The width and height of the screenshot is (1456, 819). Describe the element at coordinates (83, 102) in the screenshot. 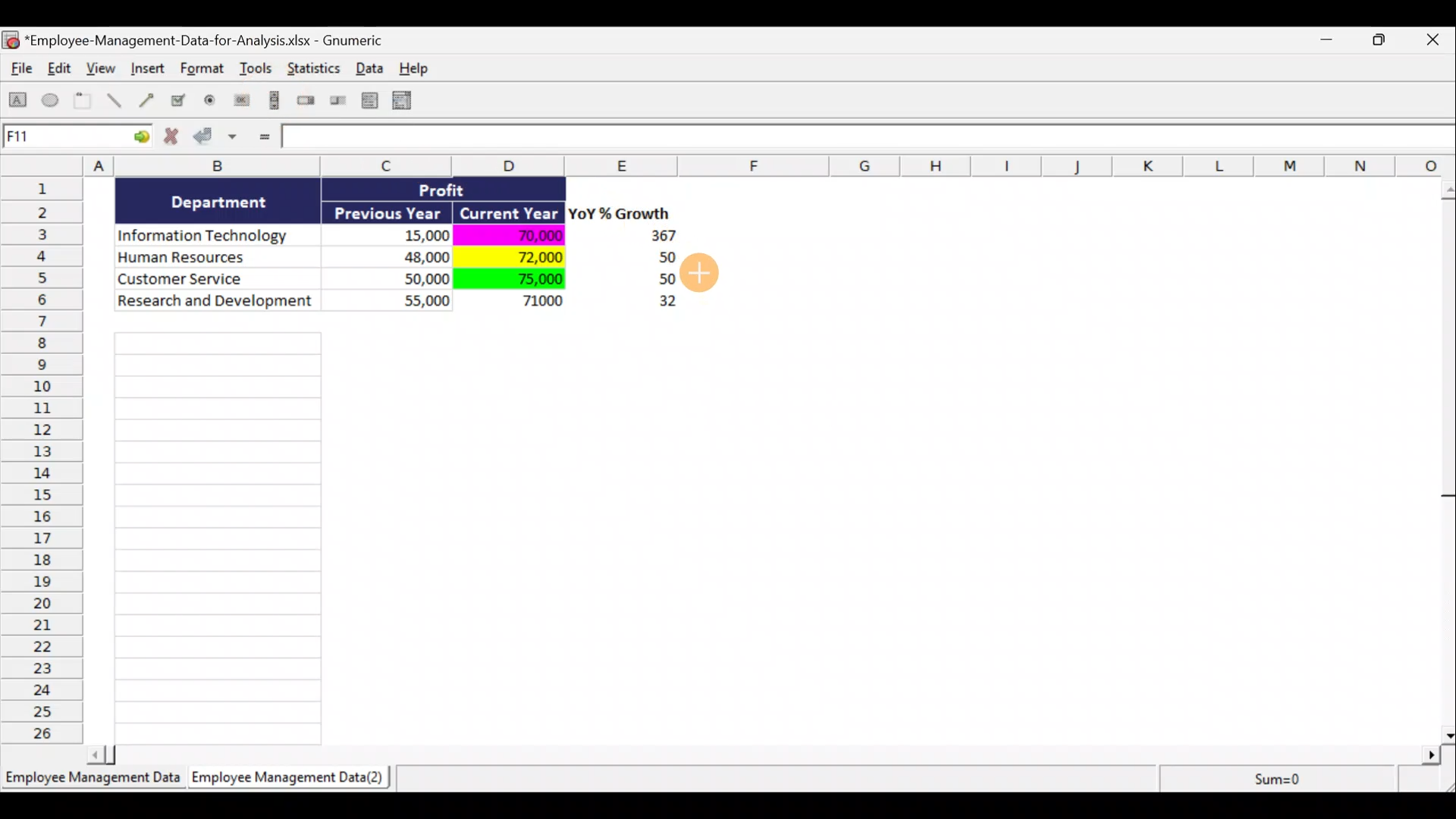

I see `Create a frame` at that location.